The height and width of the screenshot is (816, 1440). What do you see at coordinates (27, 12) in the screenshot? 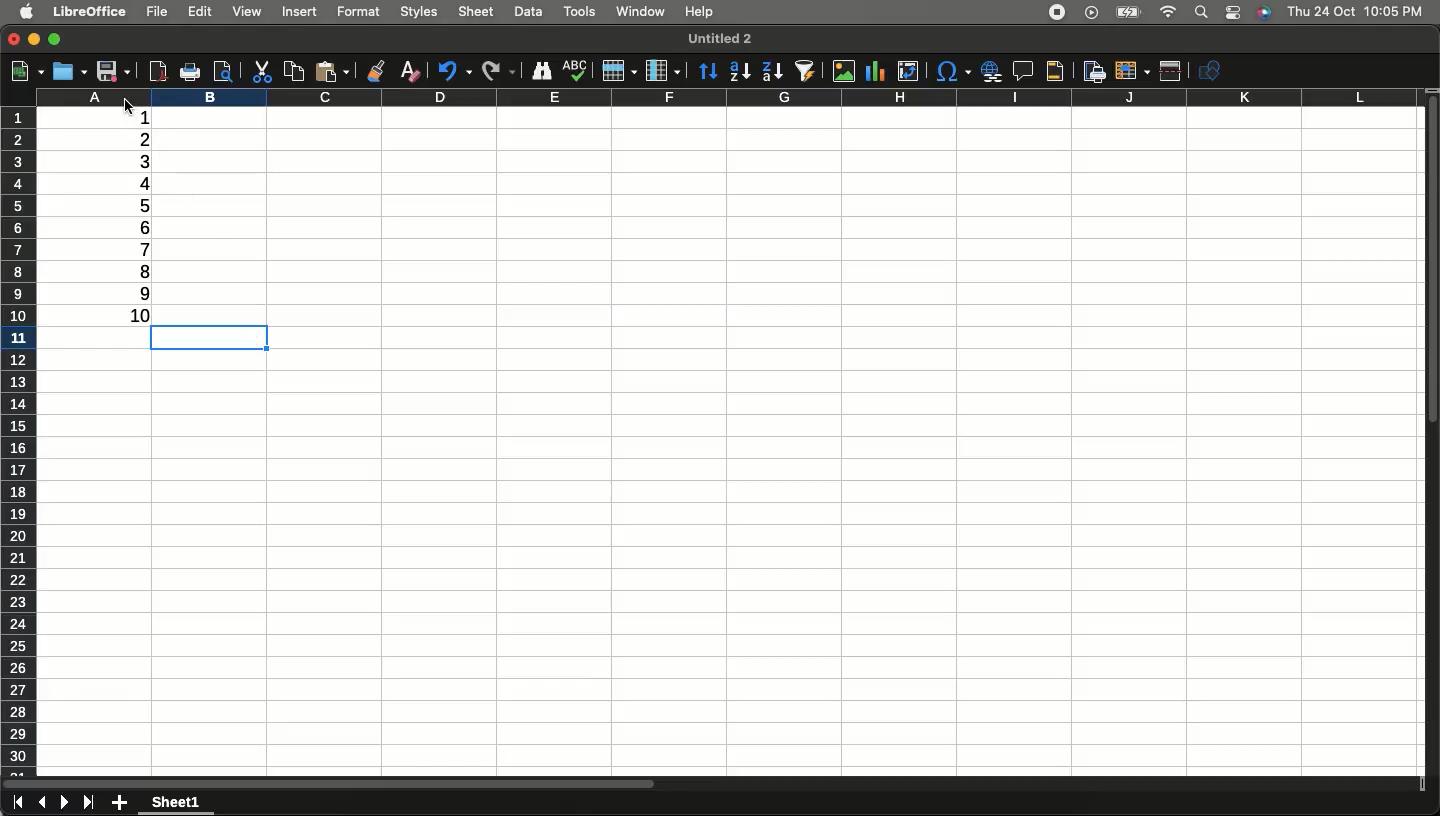
I see `Apple logo` at bounding box center [27, 12].